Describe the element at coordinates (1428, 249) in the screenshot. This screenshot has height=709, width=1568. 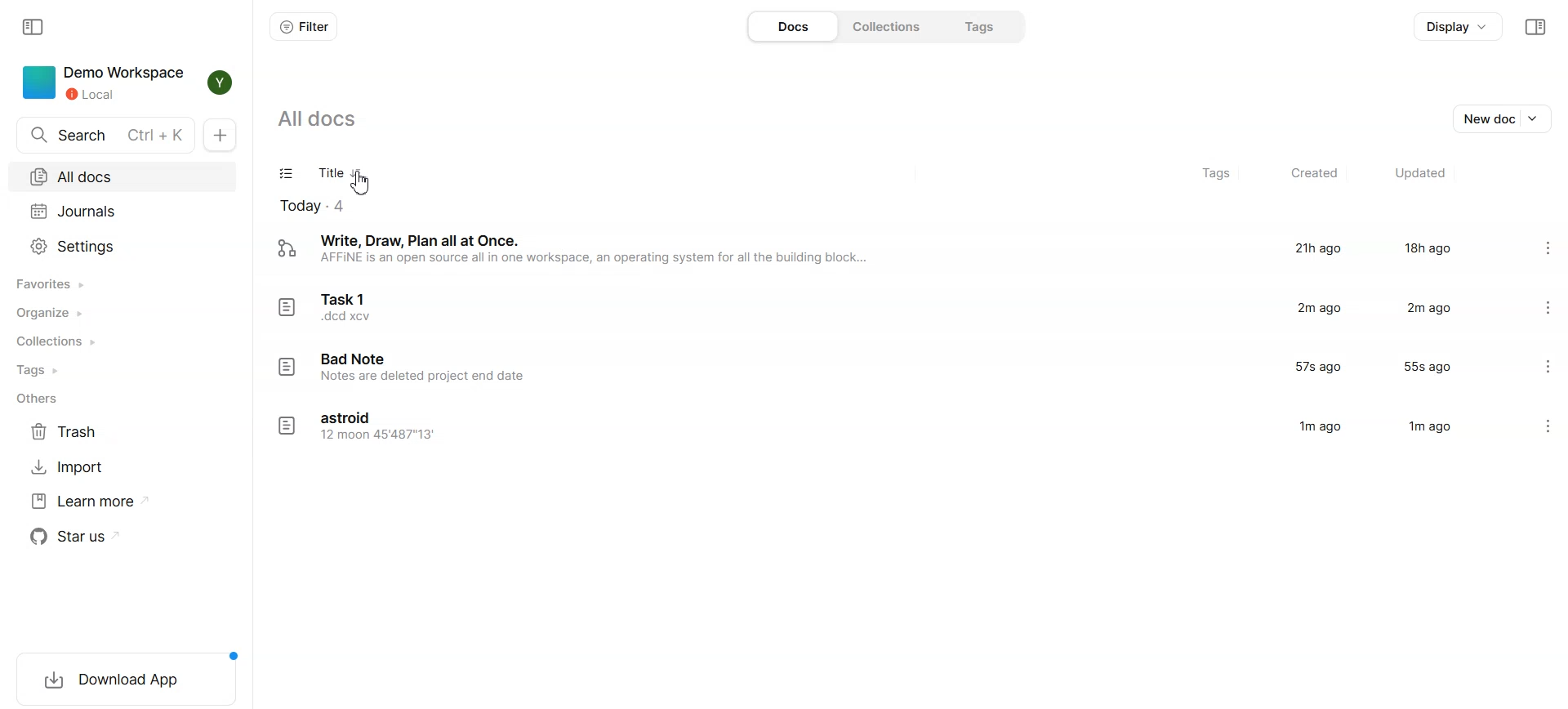
I see `18h ago` at that location.